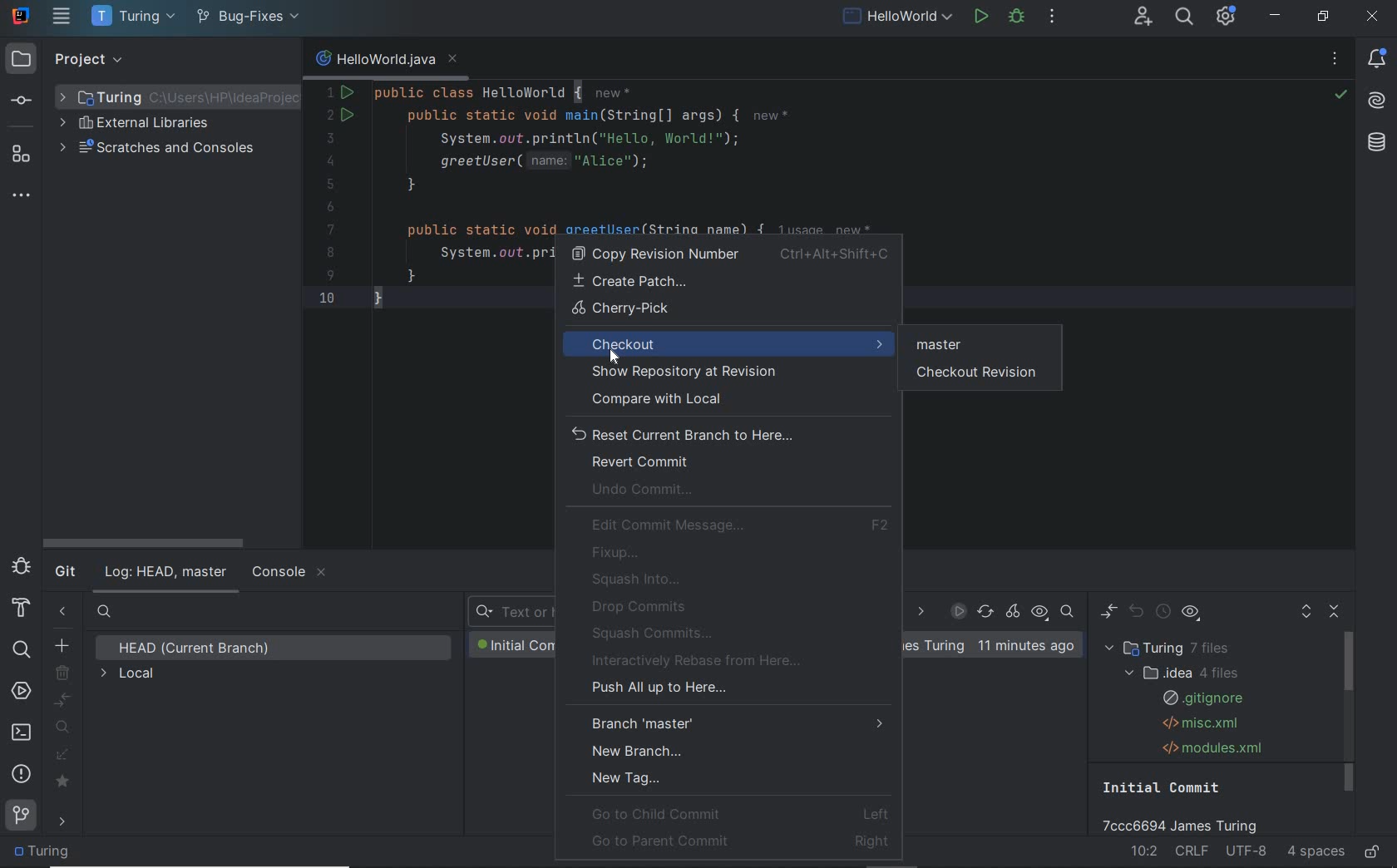  What do you see at coordinates (1178, 673) in the screenshot?
I see `.idea 4 files` at bounding box center [1178, 673].